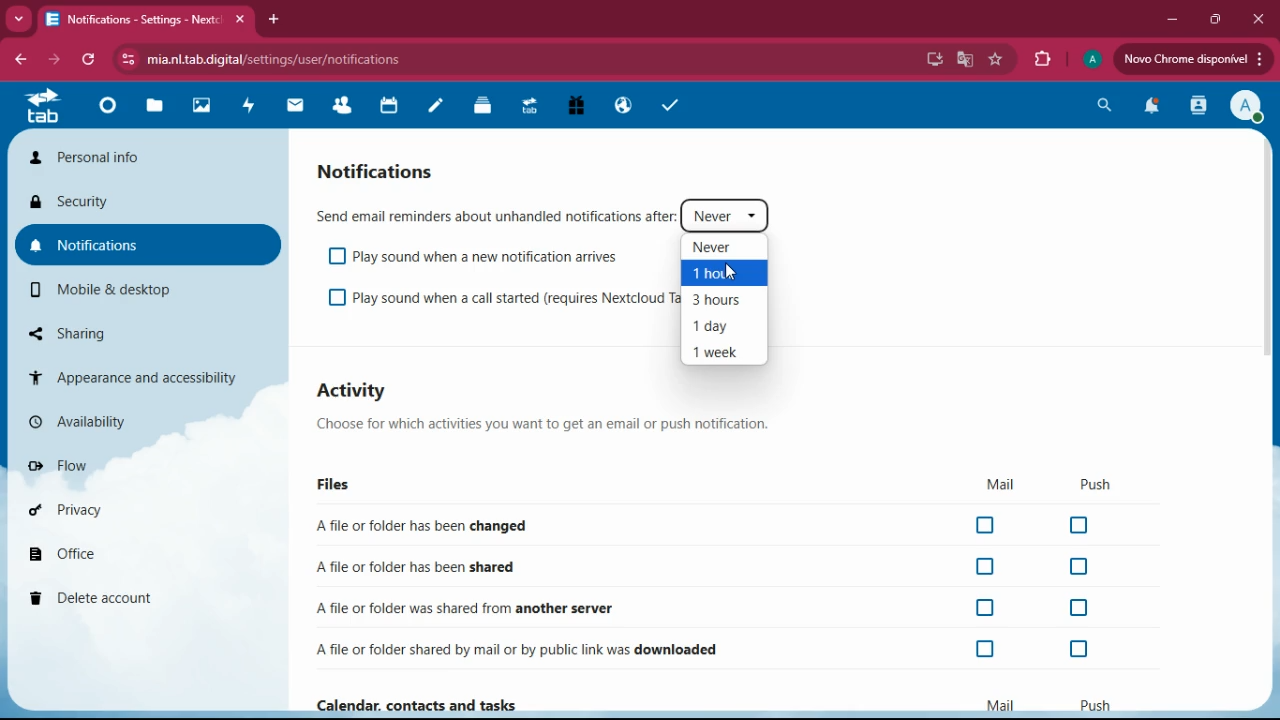 The width and height of the screenshot is (1280, 720). What do you see at coordinates (124, 557) in the screenshot?
I see `office` at bounding box center [124, 557].